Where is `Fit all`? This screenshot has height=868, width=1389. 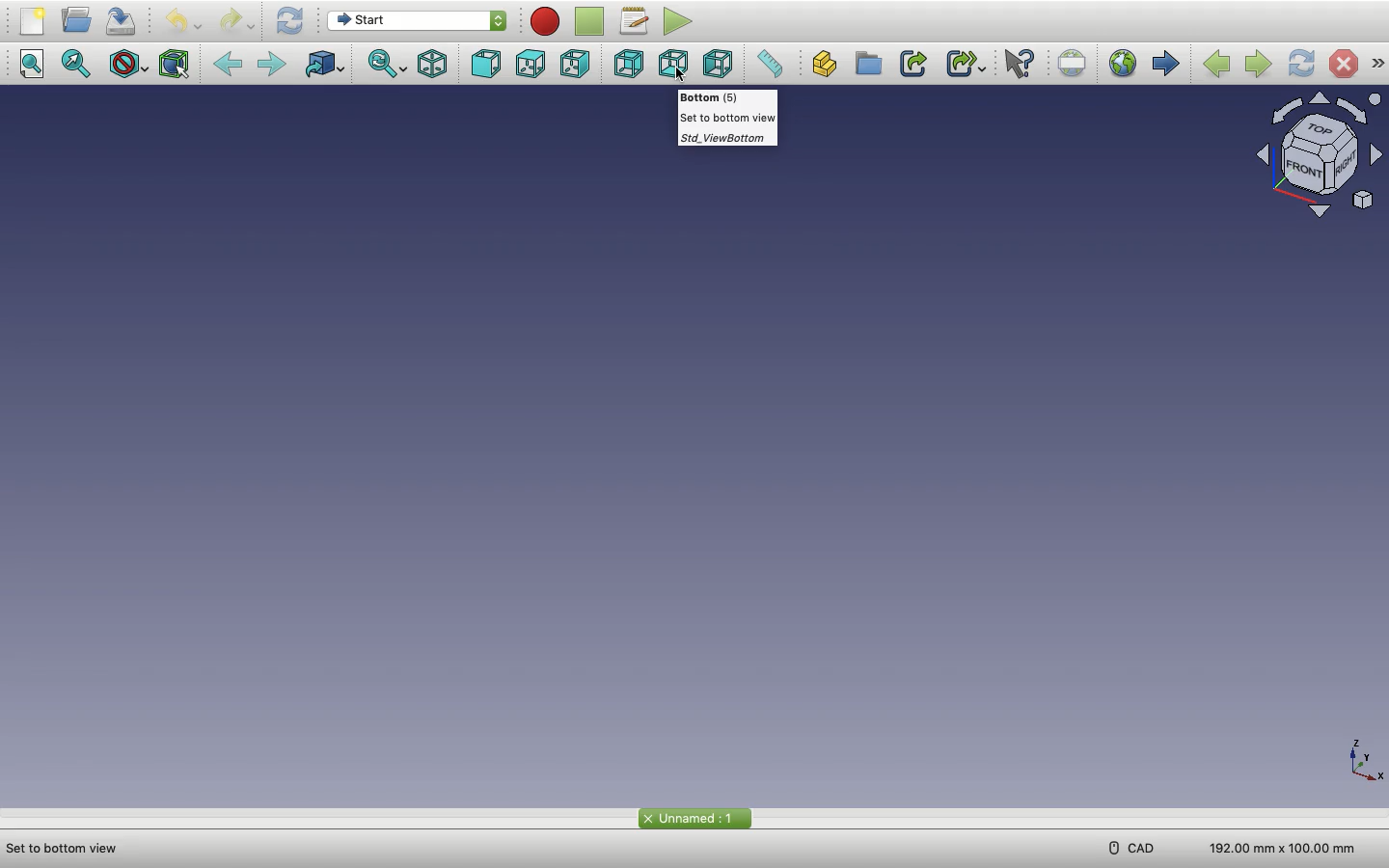
Fit all is located at coordinates (36, 65).